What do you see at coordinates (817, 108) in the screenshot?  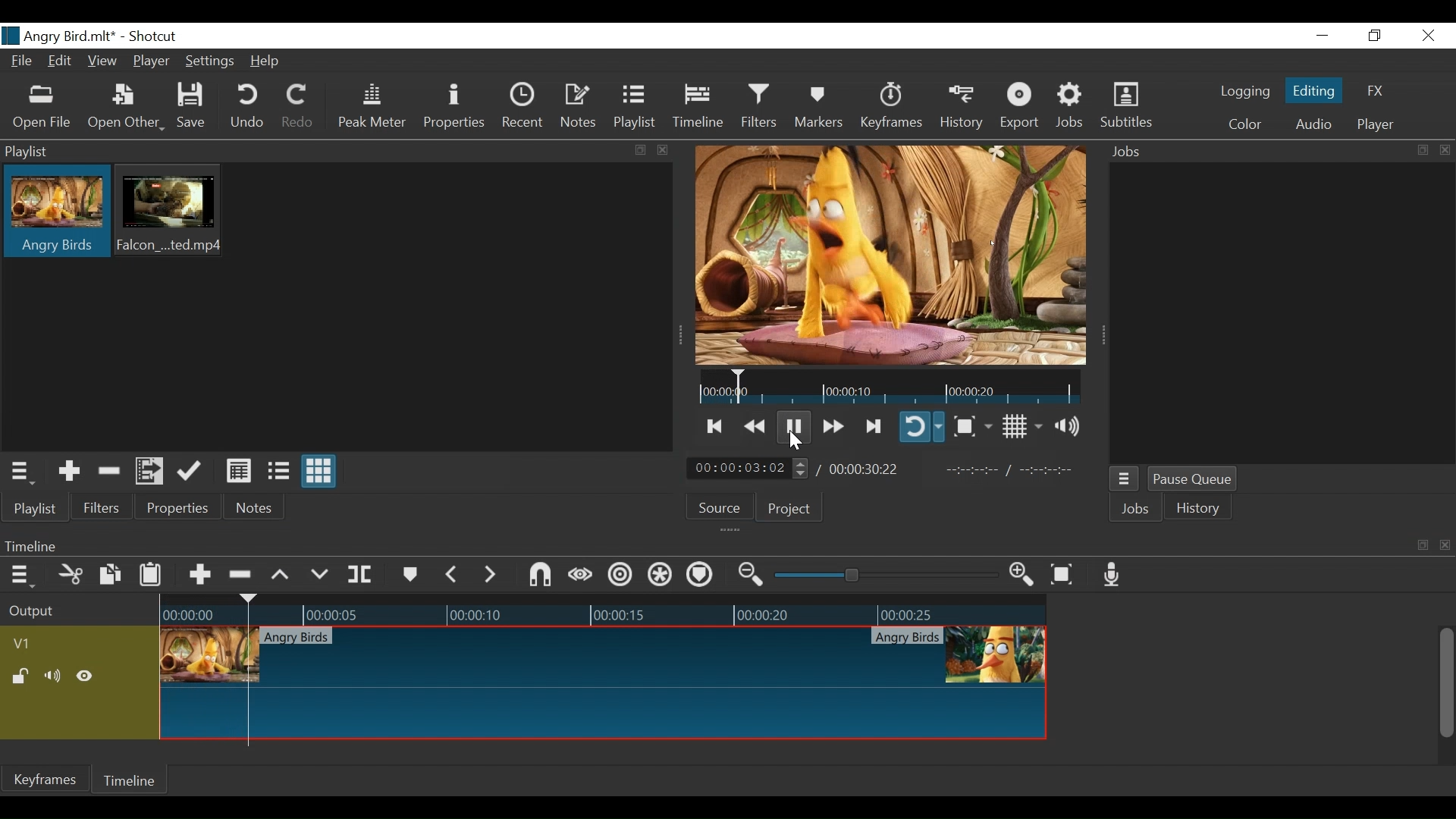 I see `Markers` at bounding box center [817, 108].